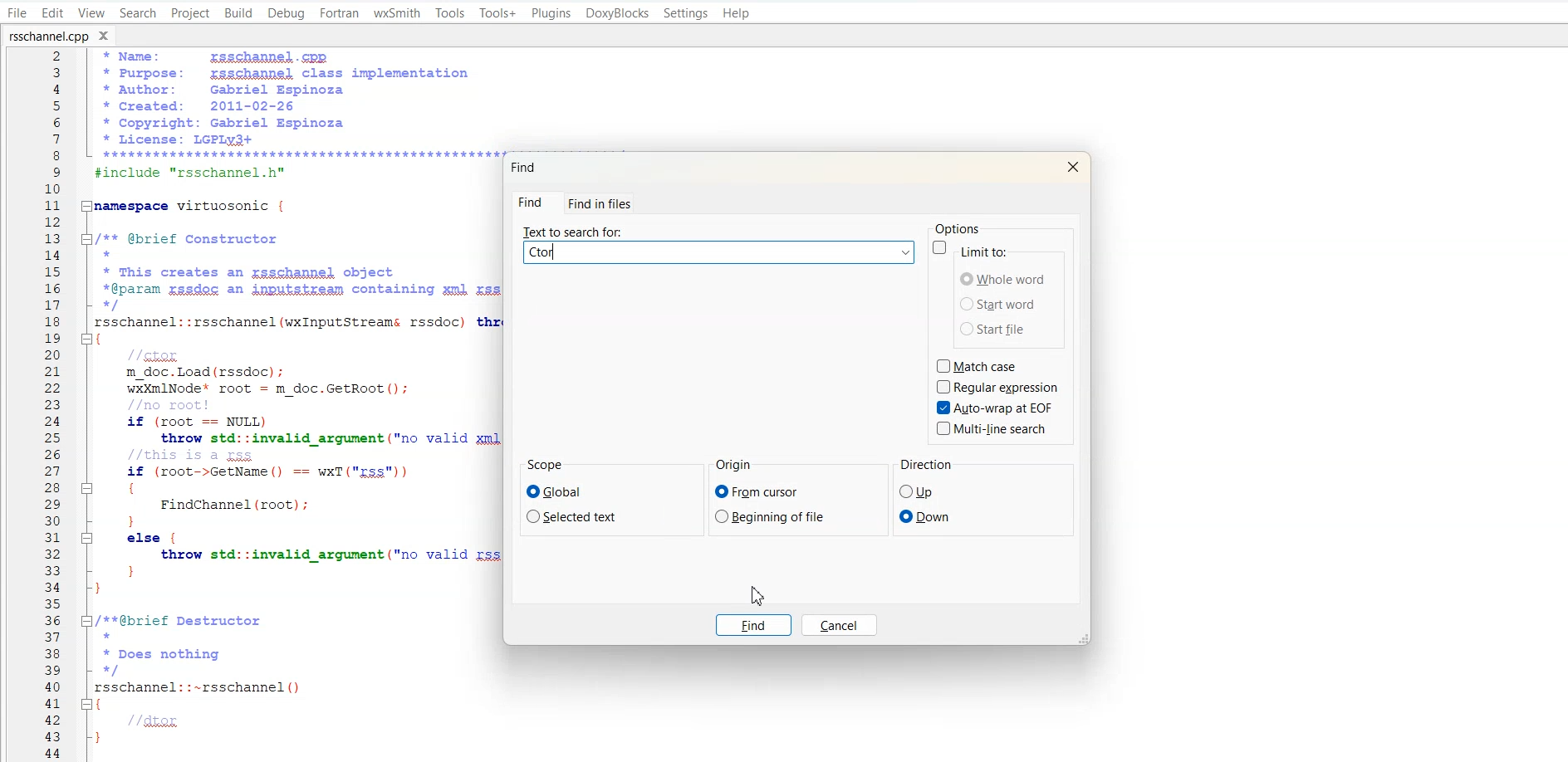  What do you see at coordinates (301, 401) in the screenshot?
I see `+Name: rsschannel.cpp* Purpose:  zsschanpel class implementation* Ruthor: Gabriel Espinoza* Created: 2011-02-26* Copyright: Gabriel Espinoza* License: LGPLy3+LT TTY]#include "rsschannel.h”namespace virtuosonic {/** @brief Constructor** This creates an zsschanpel object*@param gssdoc an ipputstream containing xml zss dataxrsschannel::rsschannel (wxInputStreams rssdoc) throw (std::invalid argument1m_doc. Load (rssdoc) ;wxXmlNode* root = m_doc.GetRoot();if (root == NULL)throw std::invalid argument ("no valid zml data found");if (root->GetName() == wxT("rss"))] {FindChannel (root) ;: }| else {throw std::invalid argument ("no valid rss data found");] }}/**@brief Destructor** Does nothingxrsschannel::-~rsschannel()1//dtor}` at bounding box center [301, 401].